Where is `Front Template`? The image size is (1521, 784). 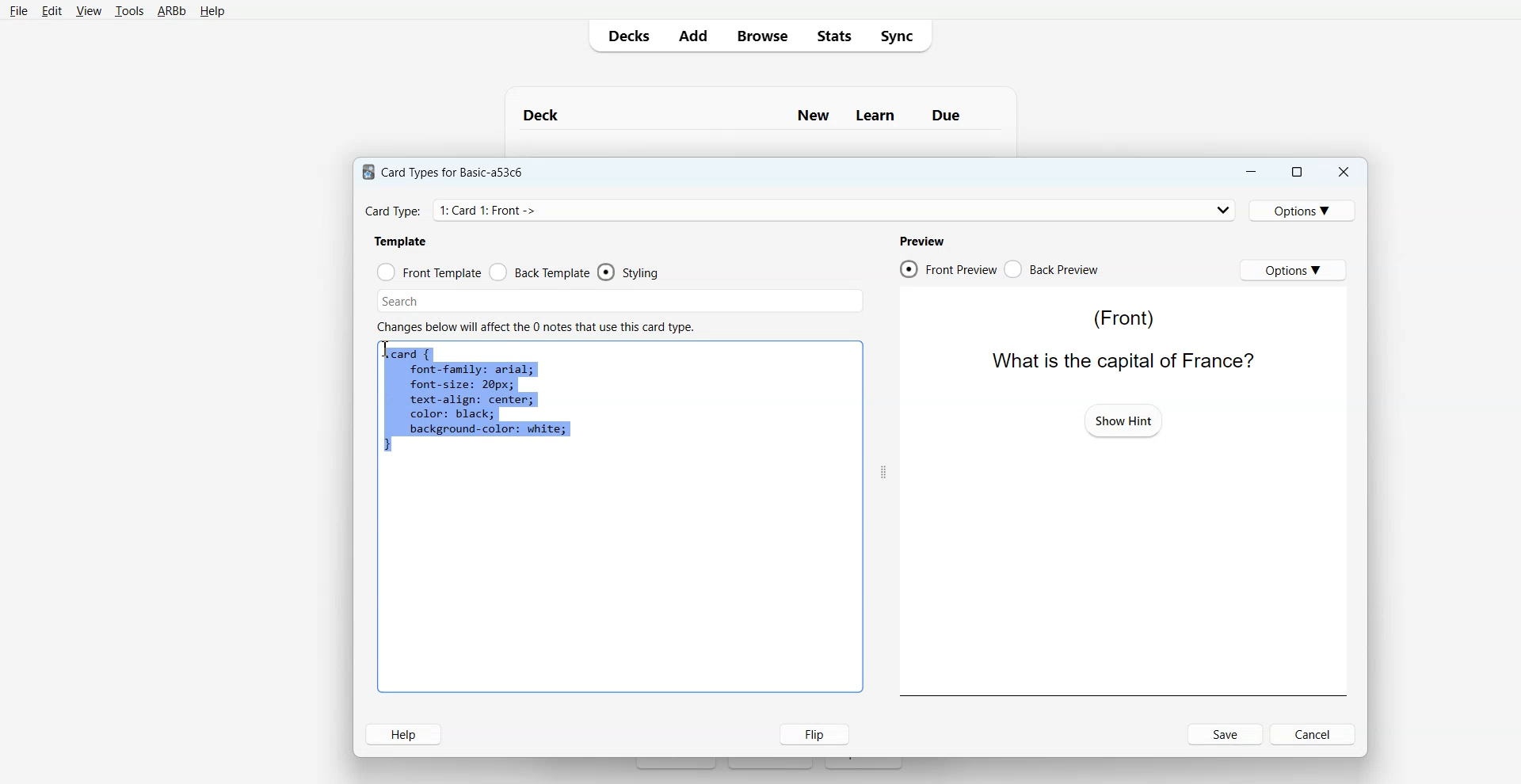 Front Template is located at coordinates (429, 272).